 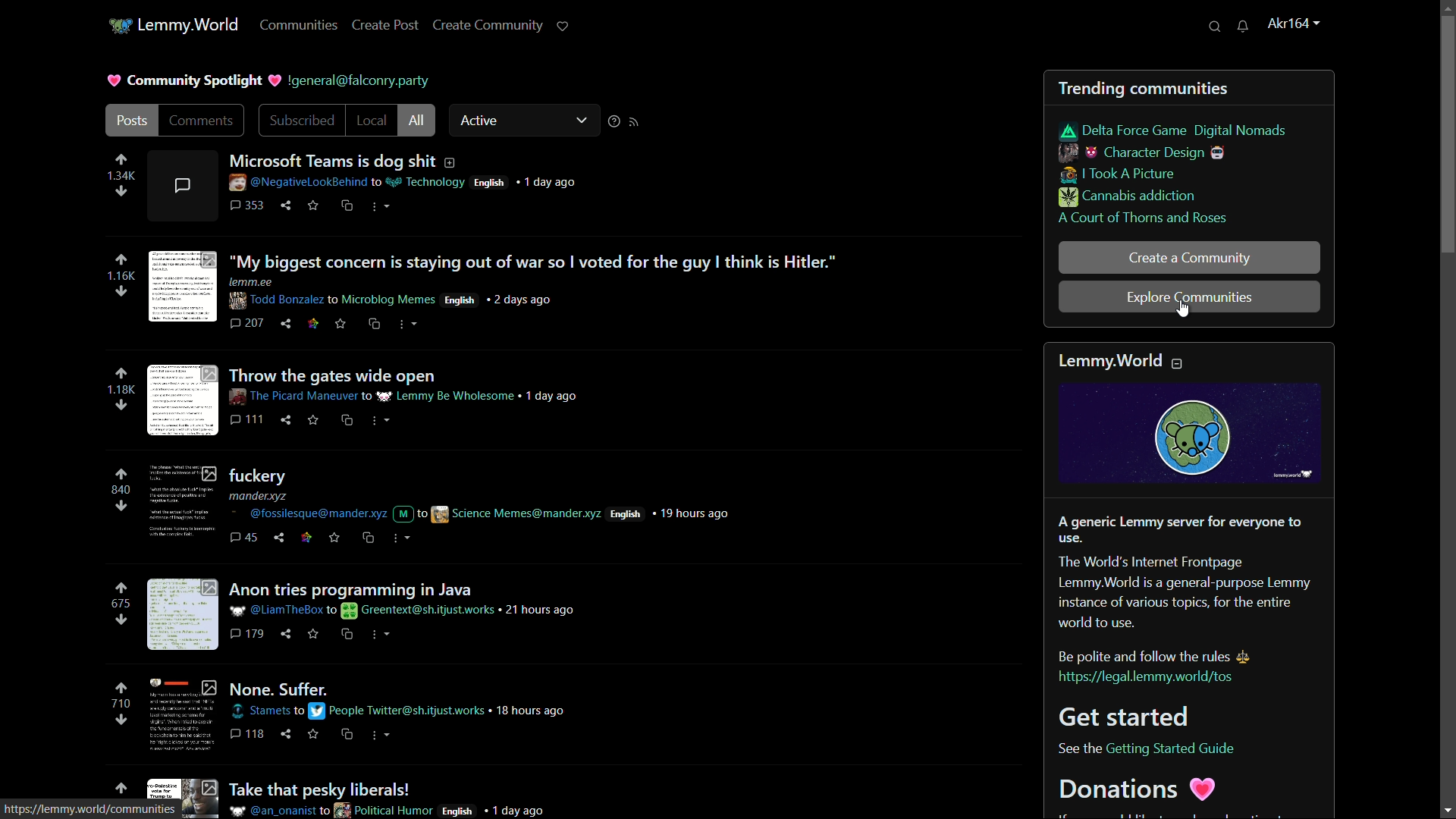 I want to click on upvote, so click(x=121, y=260).